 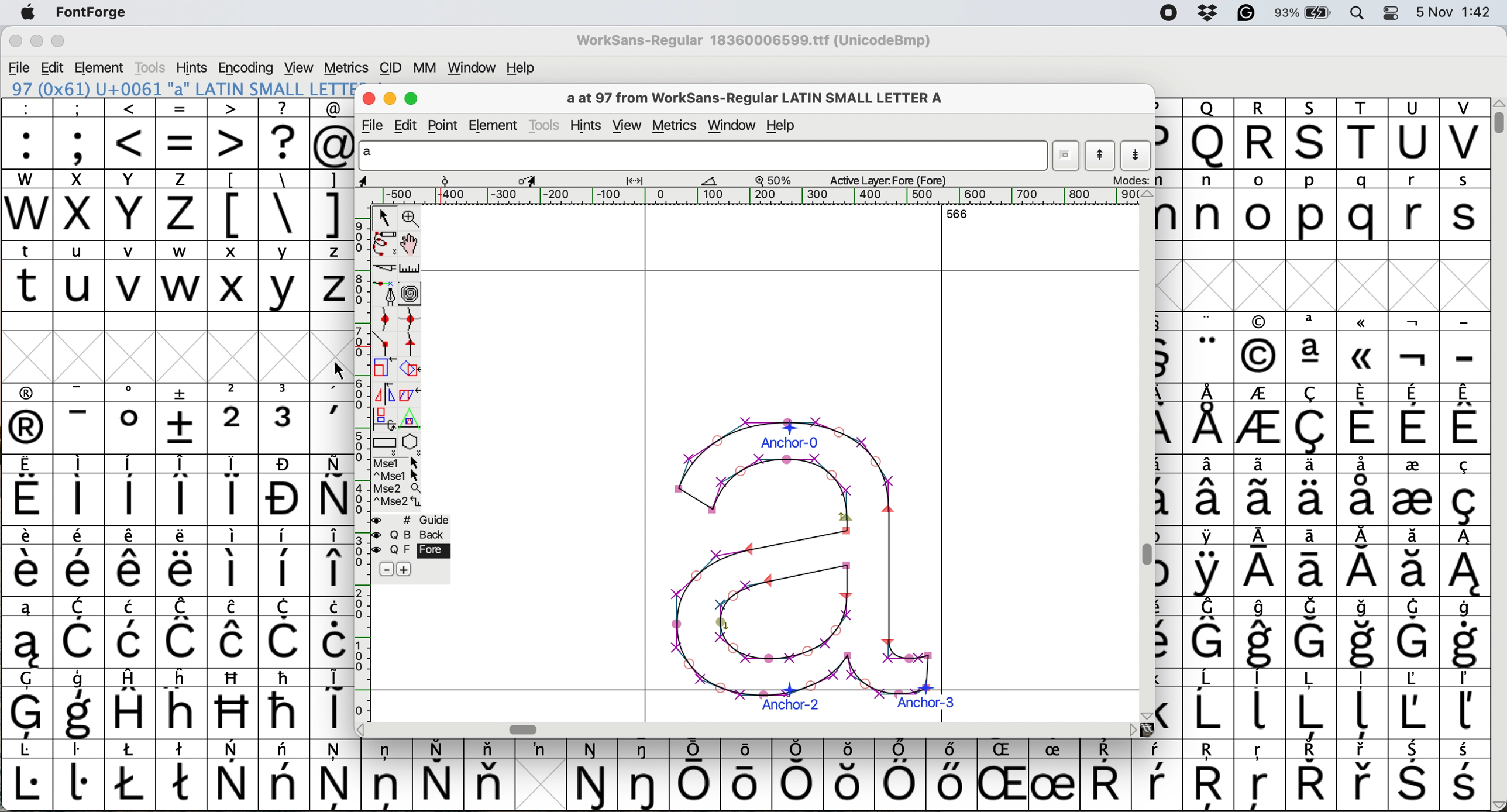 What do you see at coordinates (679, 126) in the screenshot?
I see `metrics` at bounding box center [679, 126].